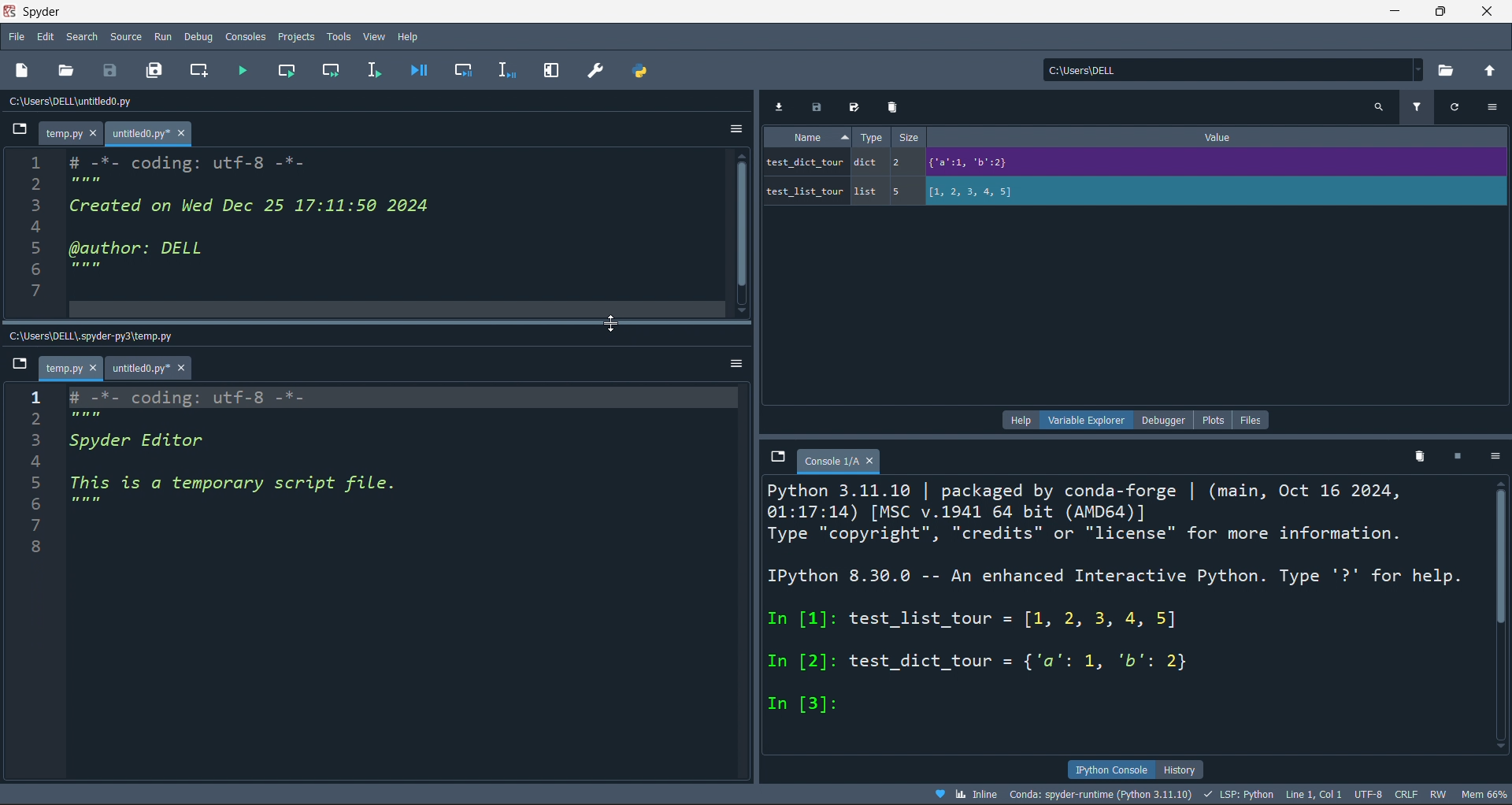 Image resolution: width=1512 pixels, height=805 pixels. Describe the element at coordinates (637, 71) in the screenshot. I see `python path manager` at that location.